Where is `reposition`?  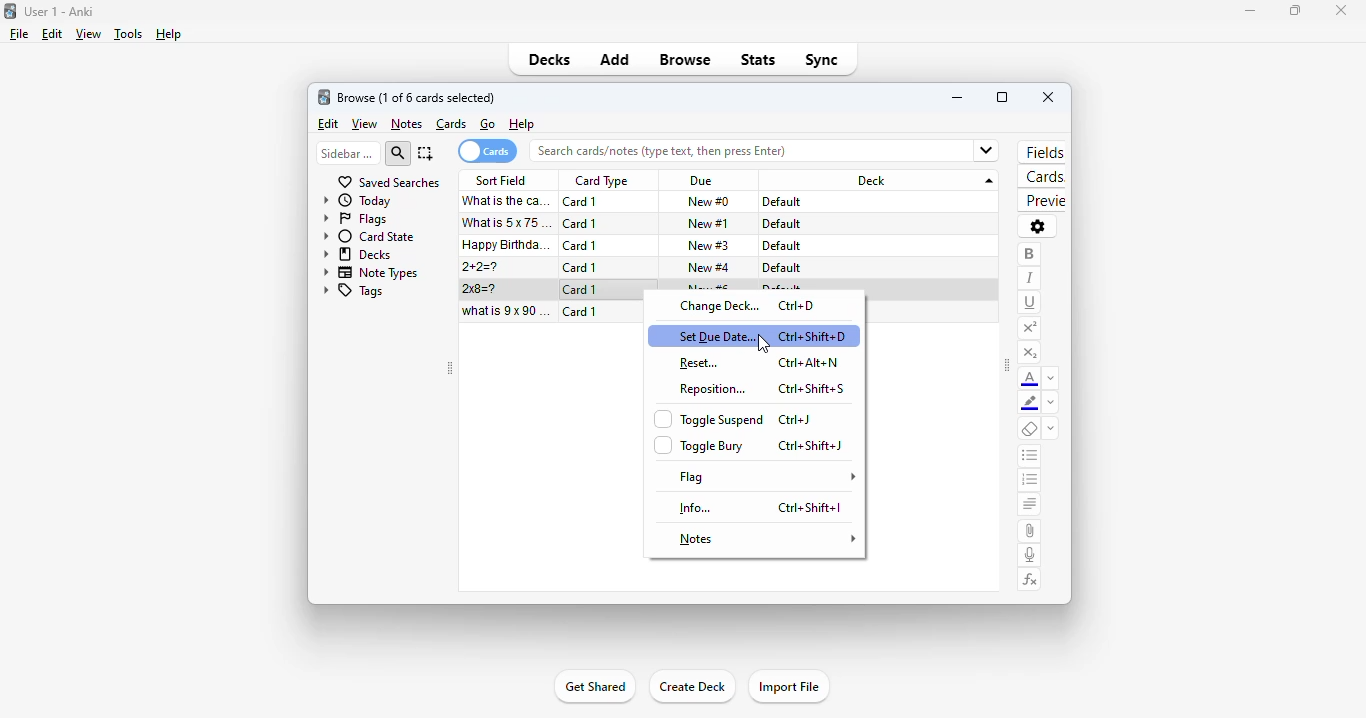 reposition is located at coordinates (713, 389).